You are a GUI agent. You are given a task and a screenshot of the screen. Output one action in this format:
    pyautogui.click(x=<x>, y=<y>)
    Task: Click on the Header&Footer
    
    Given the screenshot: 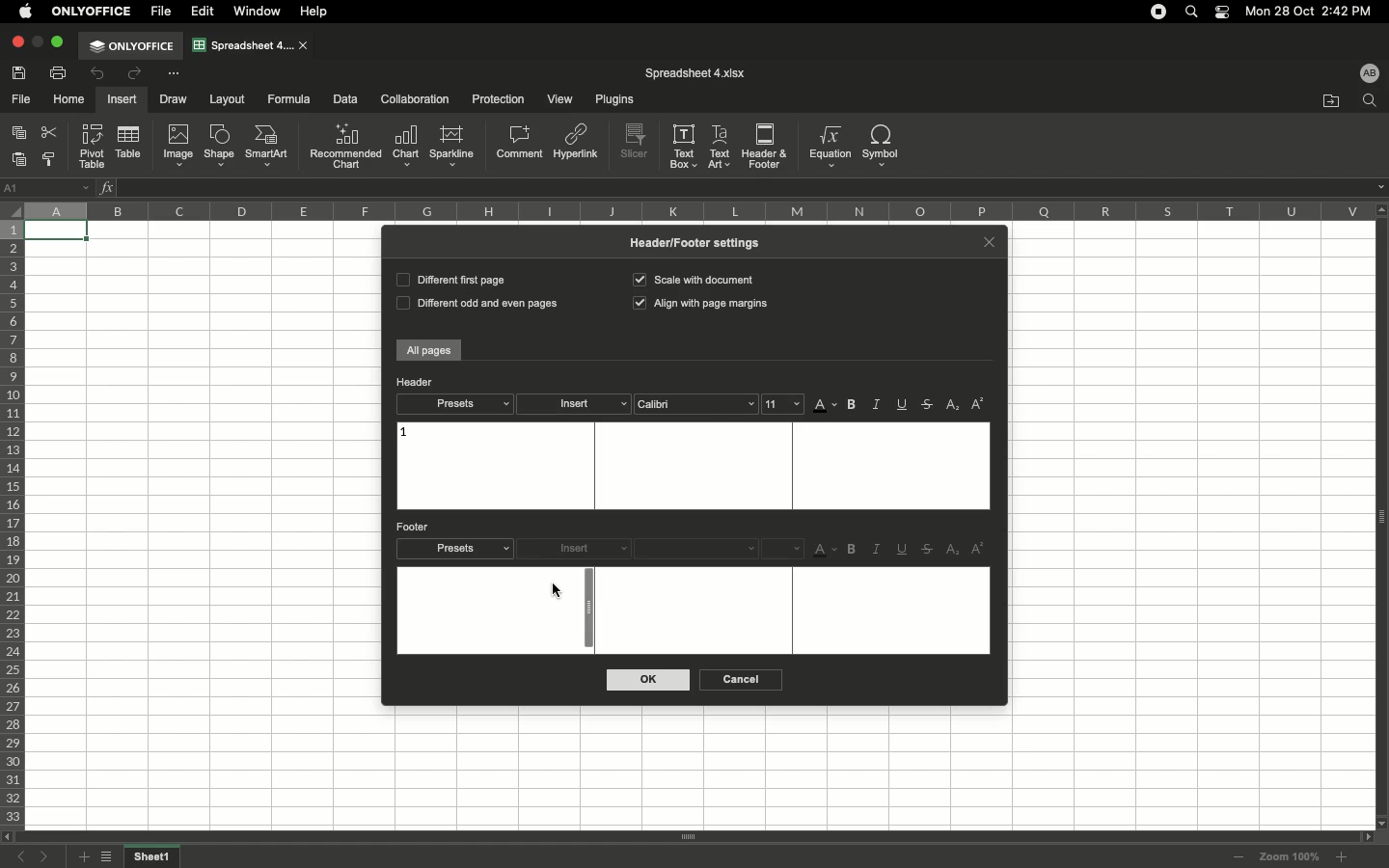 What is the action you would take?
    pyautogui.click(x=765, y=145)
    